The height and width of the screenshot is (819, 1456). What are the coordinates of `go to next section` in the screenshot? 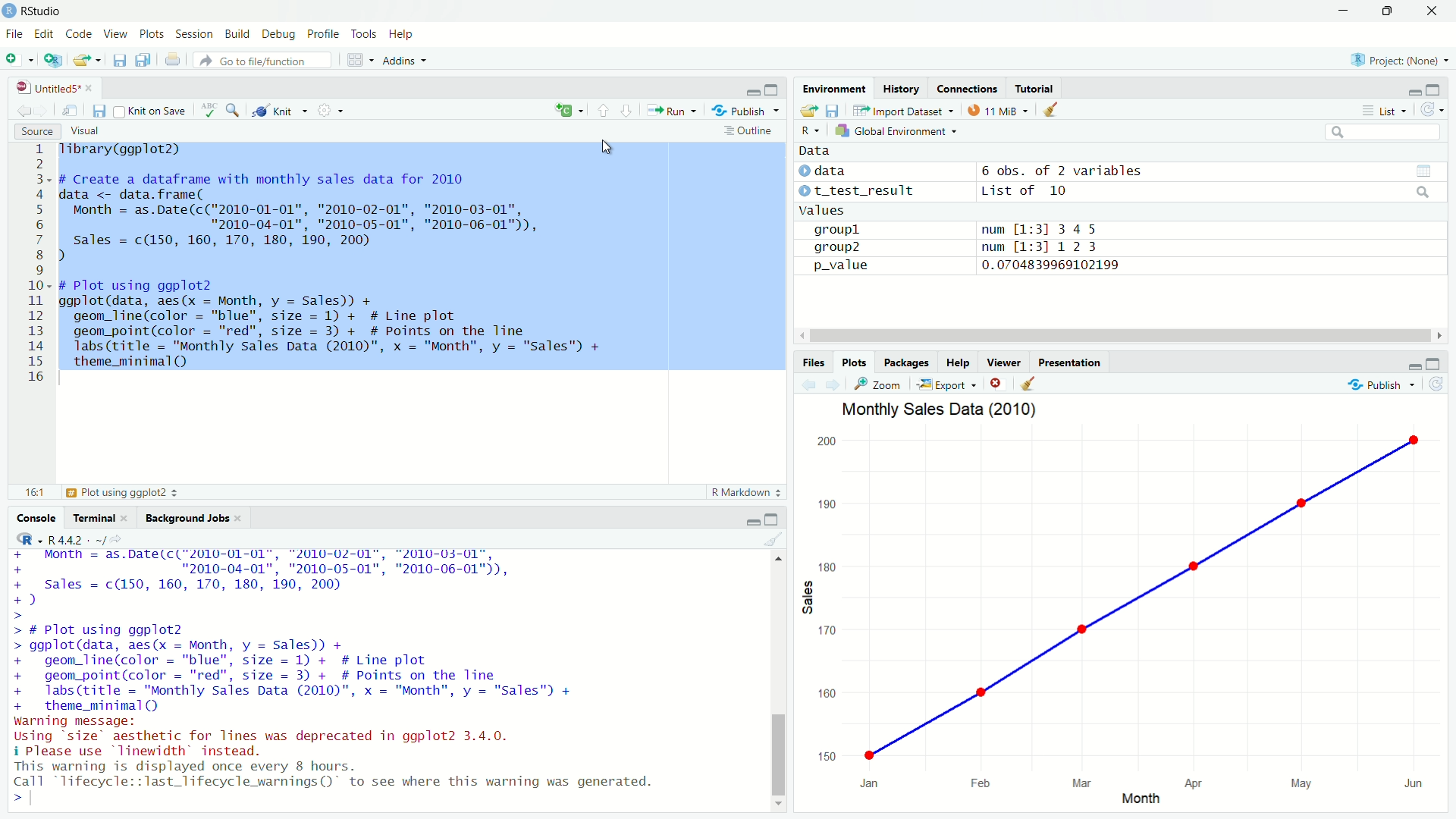 It's located at (627, 111).